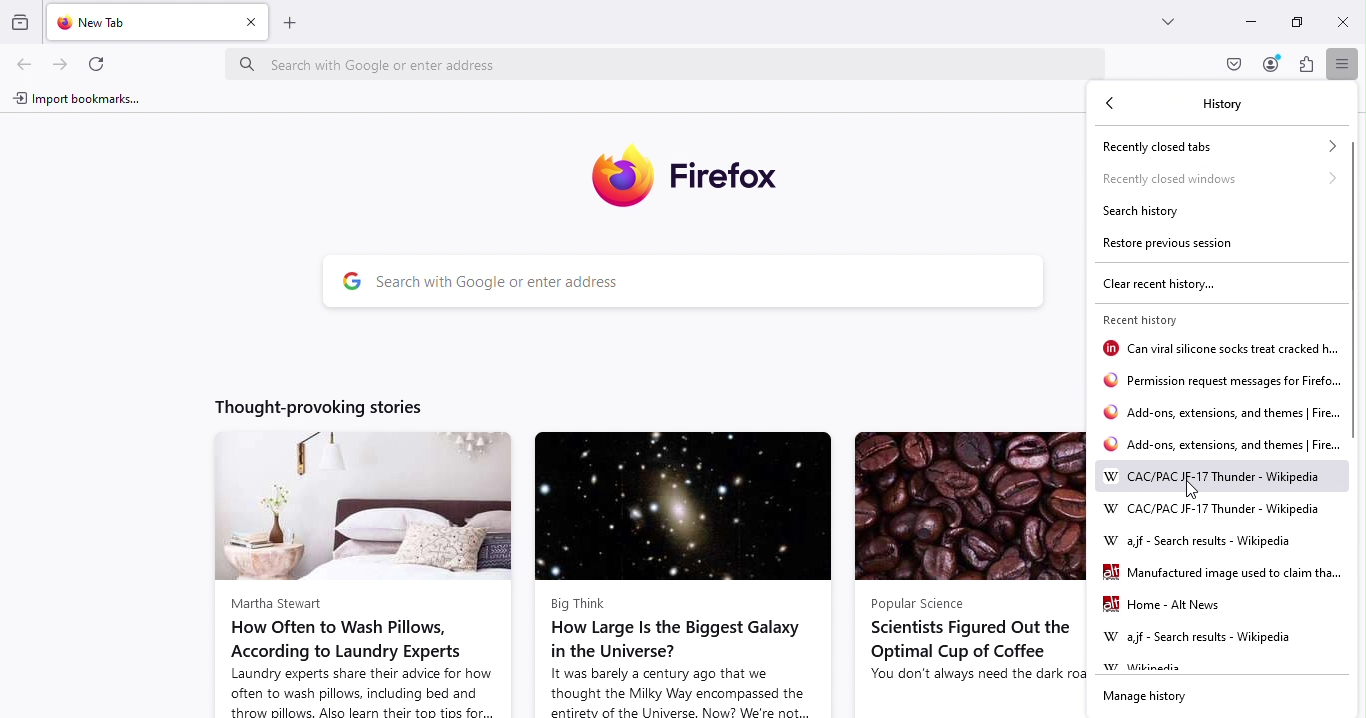 This screenshot has width=1366, height=718. What do you see at coordinates (1160, 318) in the screenshot?
I see `Recent history` at bounding box center [1160, 318].